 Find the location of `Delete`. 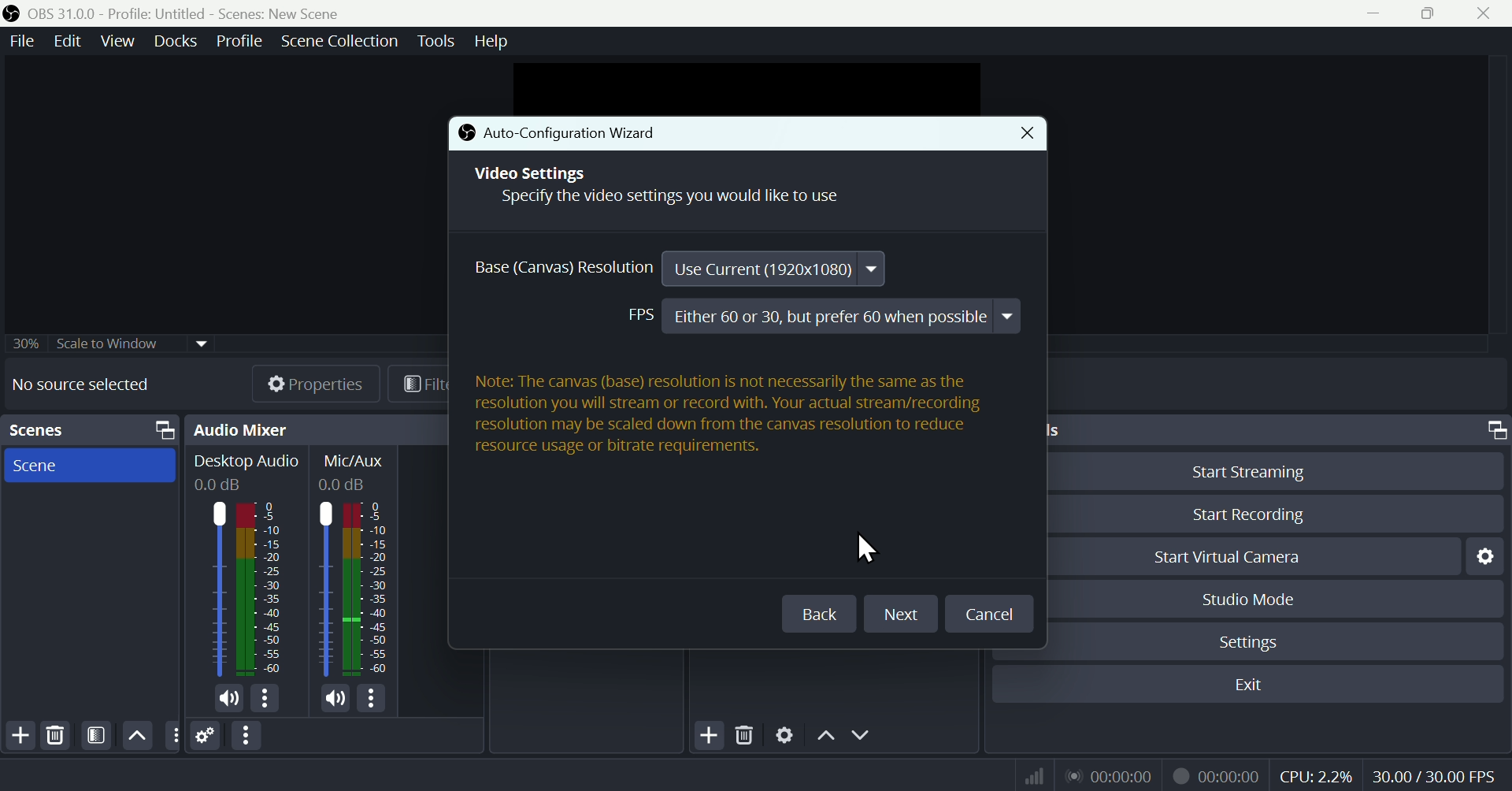

Delete is located at coordinates (745, 732).